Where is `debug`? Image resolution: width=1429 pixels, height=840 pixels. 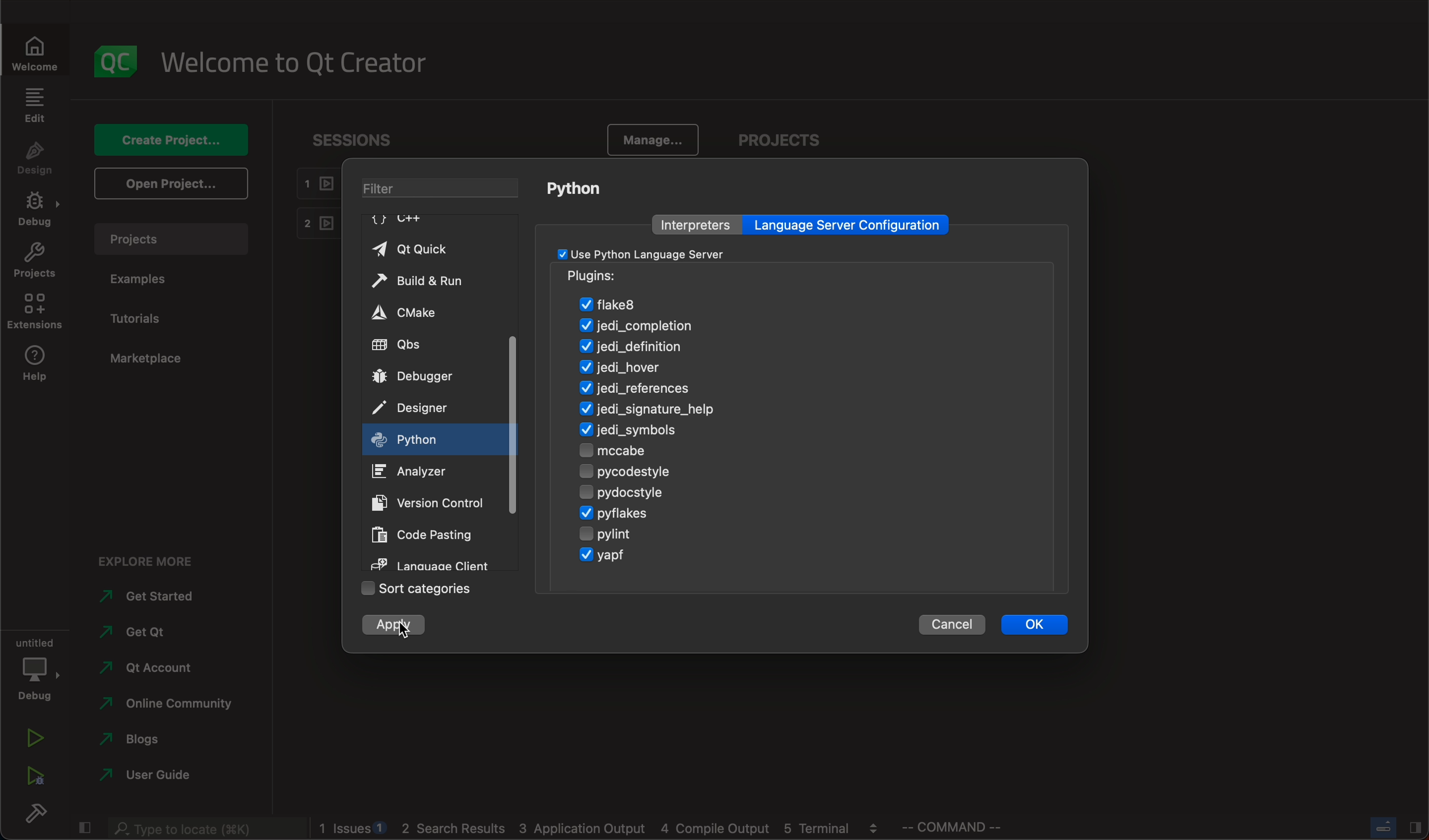 debug is located at coordinates (38, 669).